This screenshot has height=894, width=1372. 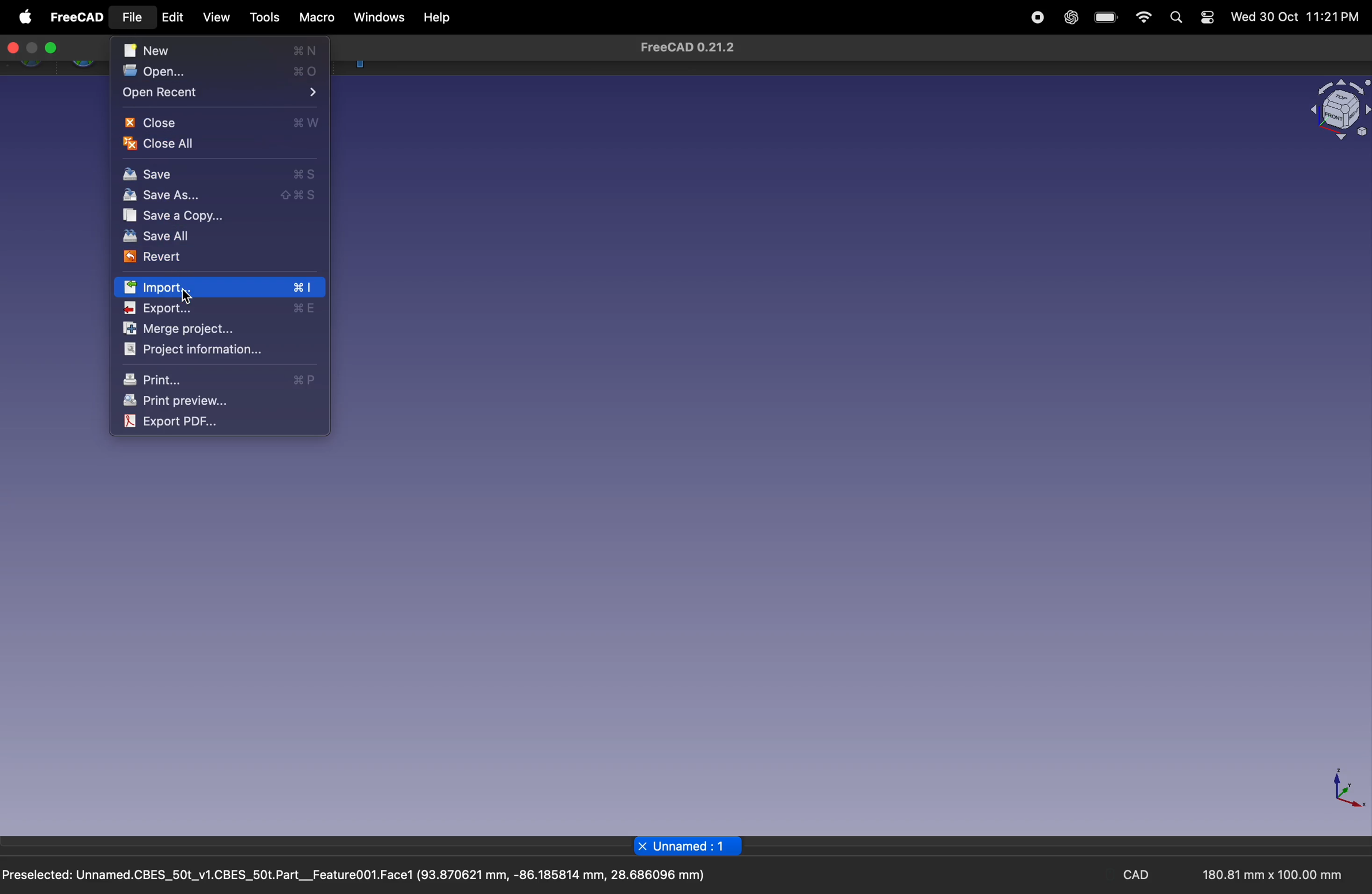 What do you see at coordinates (355, 877) in the screenshot?
I see `Preselected: Unnamed.CBES_50t_v1.CBES_50t.Part__Feature001.Face1 (93.870621 mm, -86.185814 mm, 28.686096 mm)` at bounding box center [355, 877].